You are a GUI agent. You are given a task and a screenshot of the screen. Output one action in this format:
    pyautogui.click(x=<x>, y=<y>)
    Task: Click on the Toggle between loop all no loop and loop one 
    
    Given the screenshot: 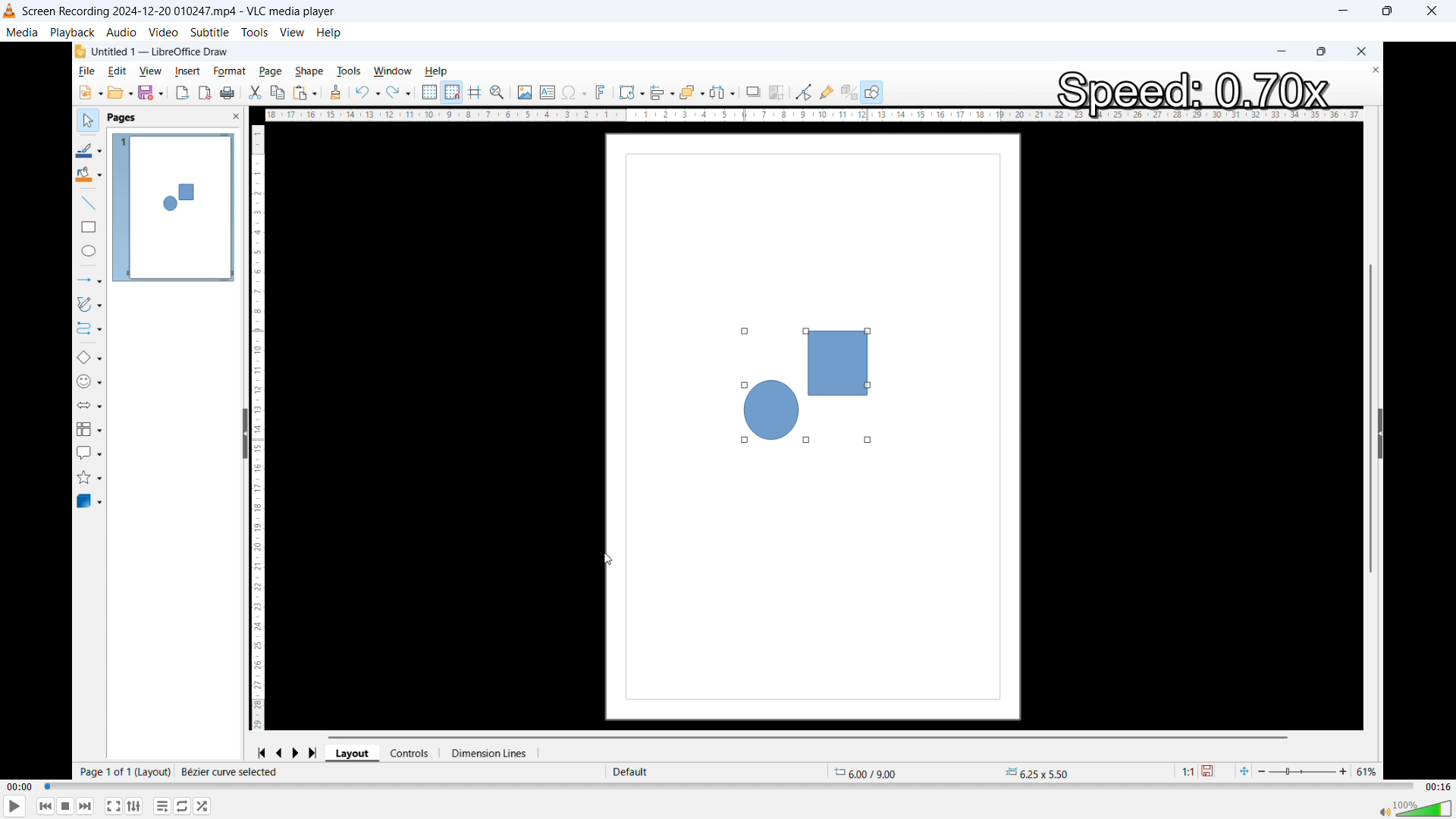 What is the action you would take?
    pyautogui.click(x=183, y=805)
    